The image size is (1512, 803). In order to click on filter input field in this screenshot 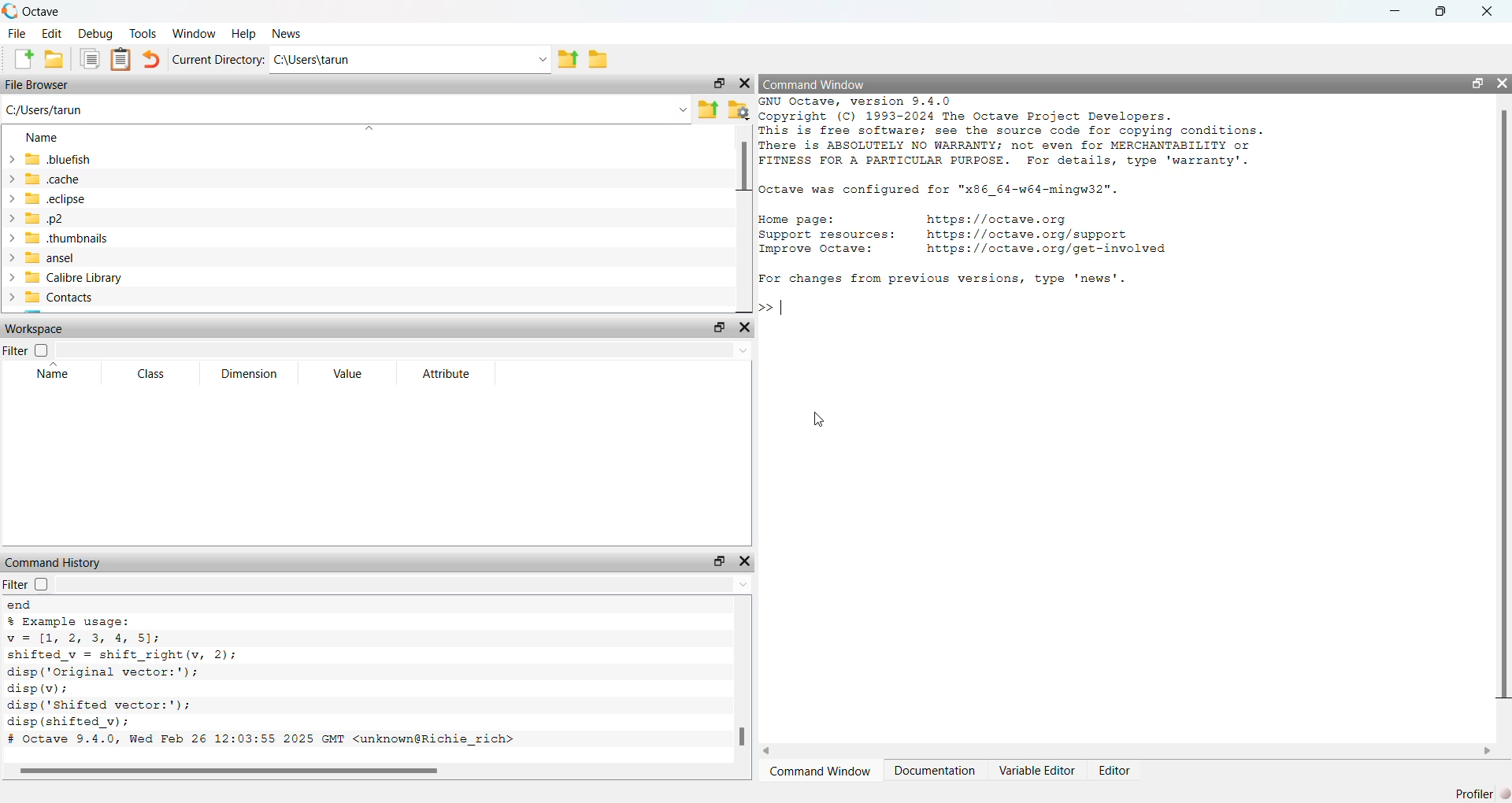, I will do `click(408, 348)`.